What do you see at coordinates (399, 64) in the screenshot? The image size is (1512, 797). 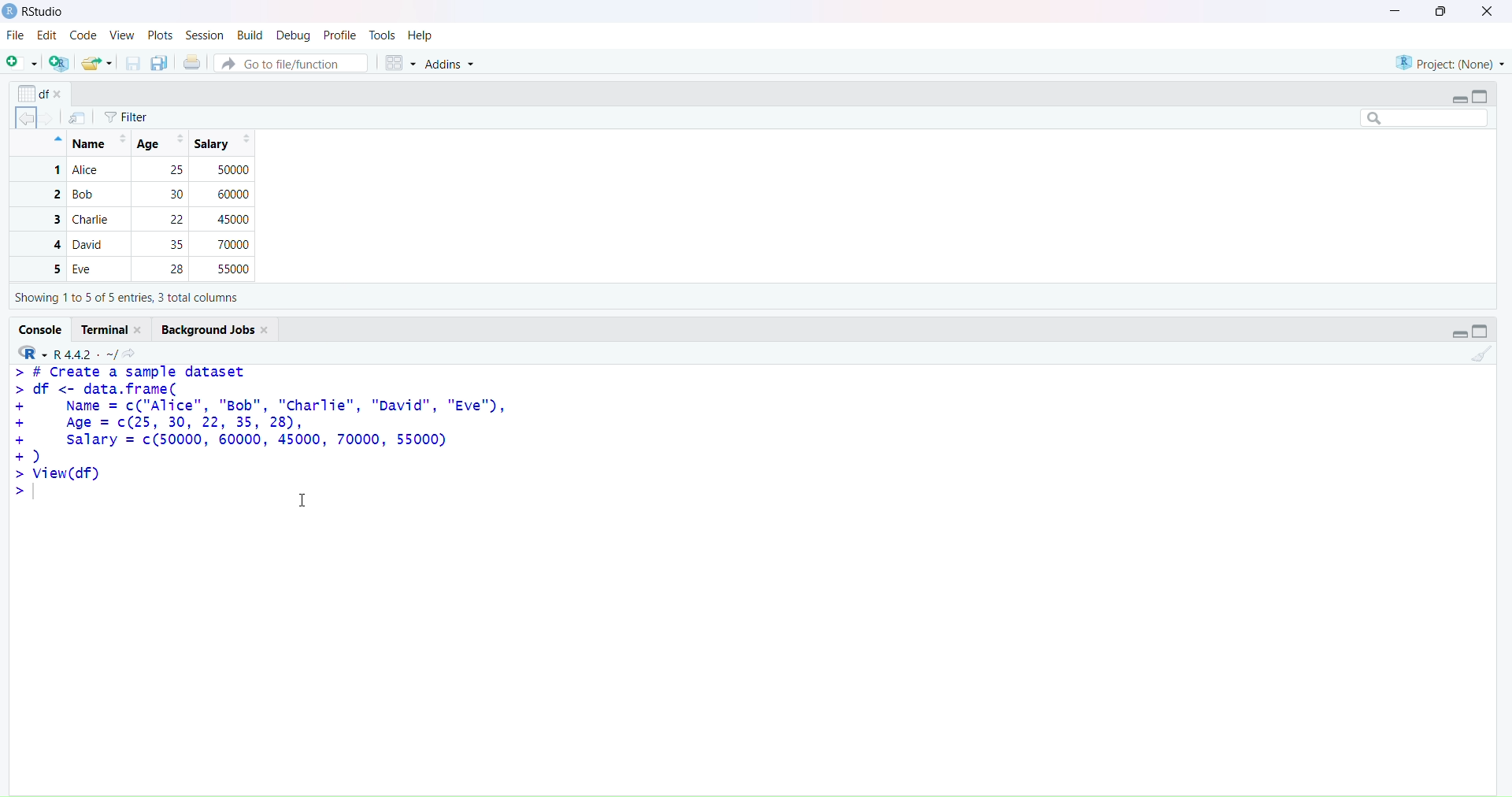 I see `workspace panes` at bounding box center [399, 64].